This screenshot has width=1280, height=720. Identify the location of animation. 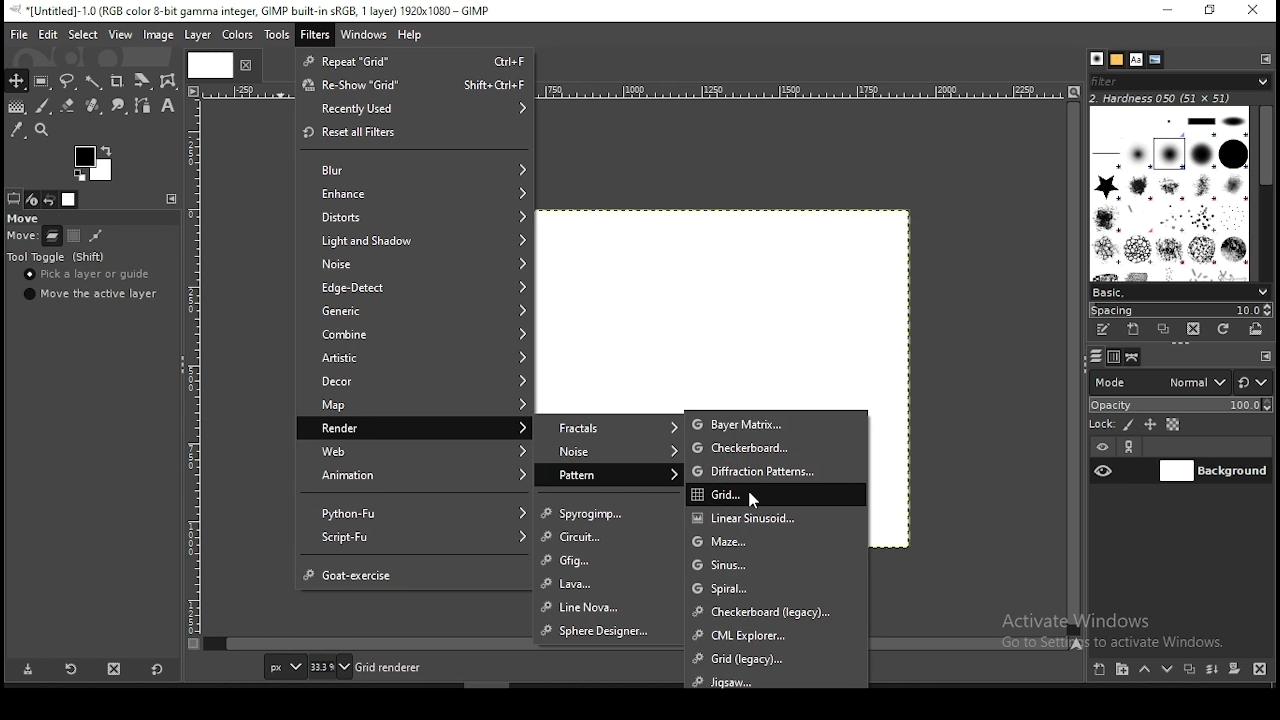
(412, 476).